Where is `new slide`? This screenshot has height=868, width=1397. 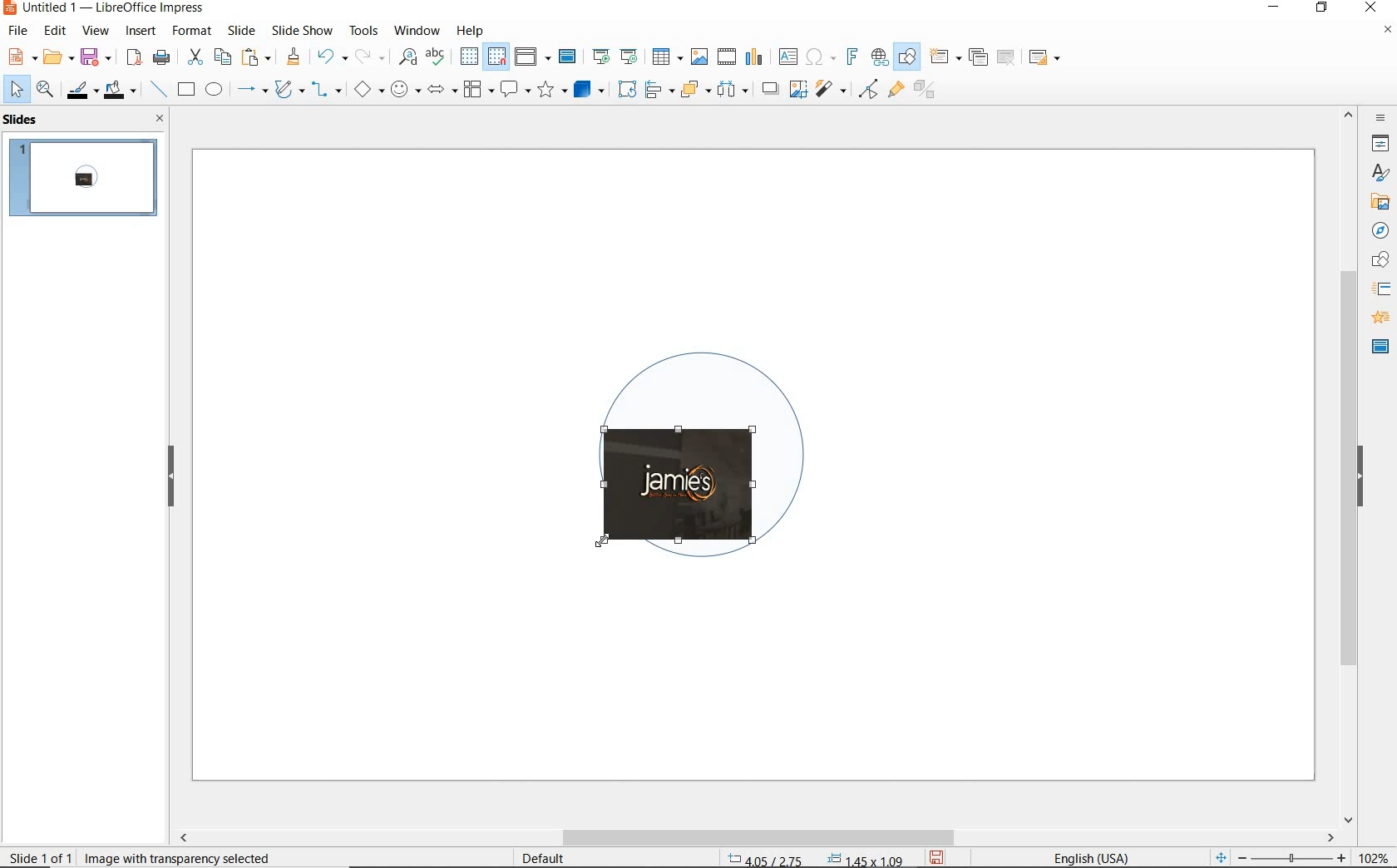 new slide is located at coordinates (945, 57).